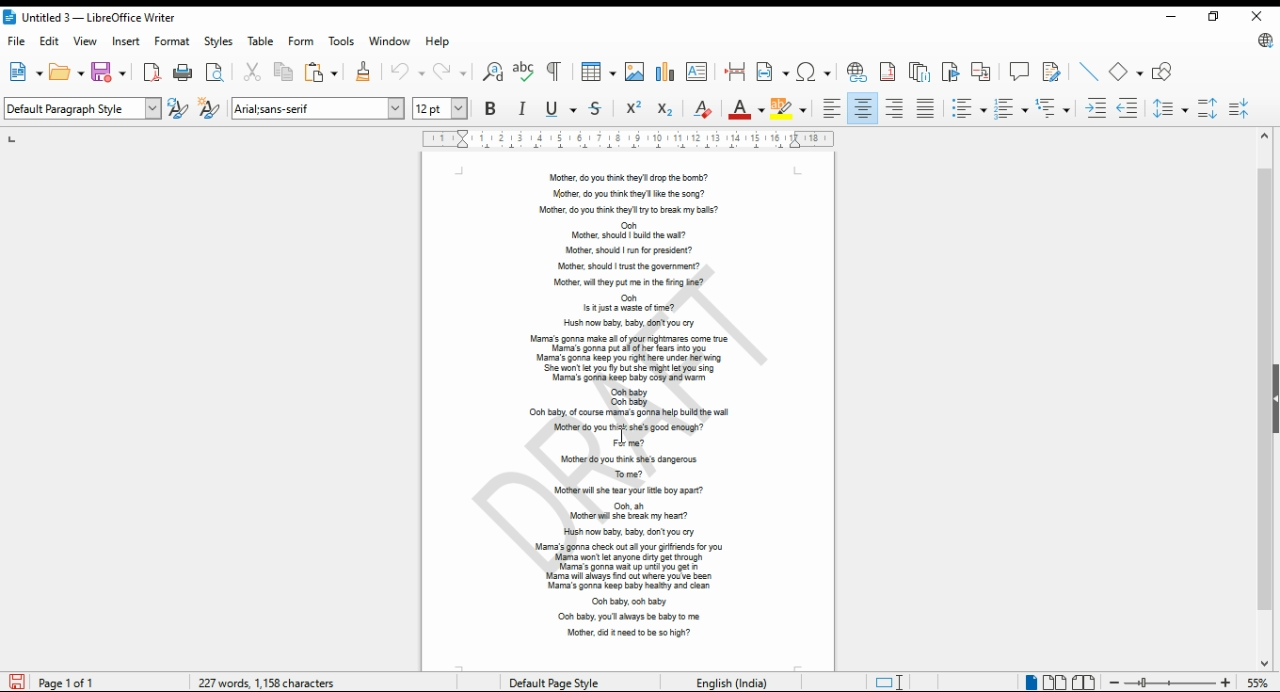  I want to click on select outline format, so click(1052, 107).